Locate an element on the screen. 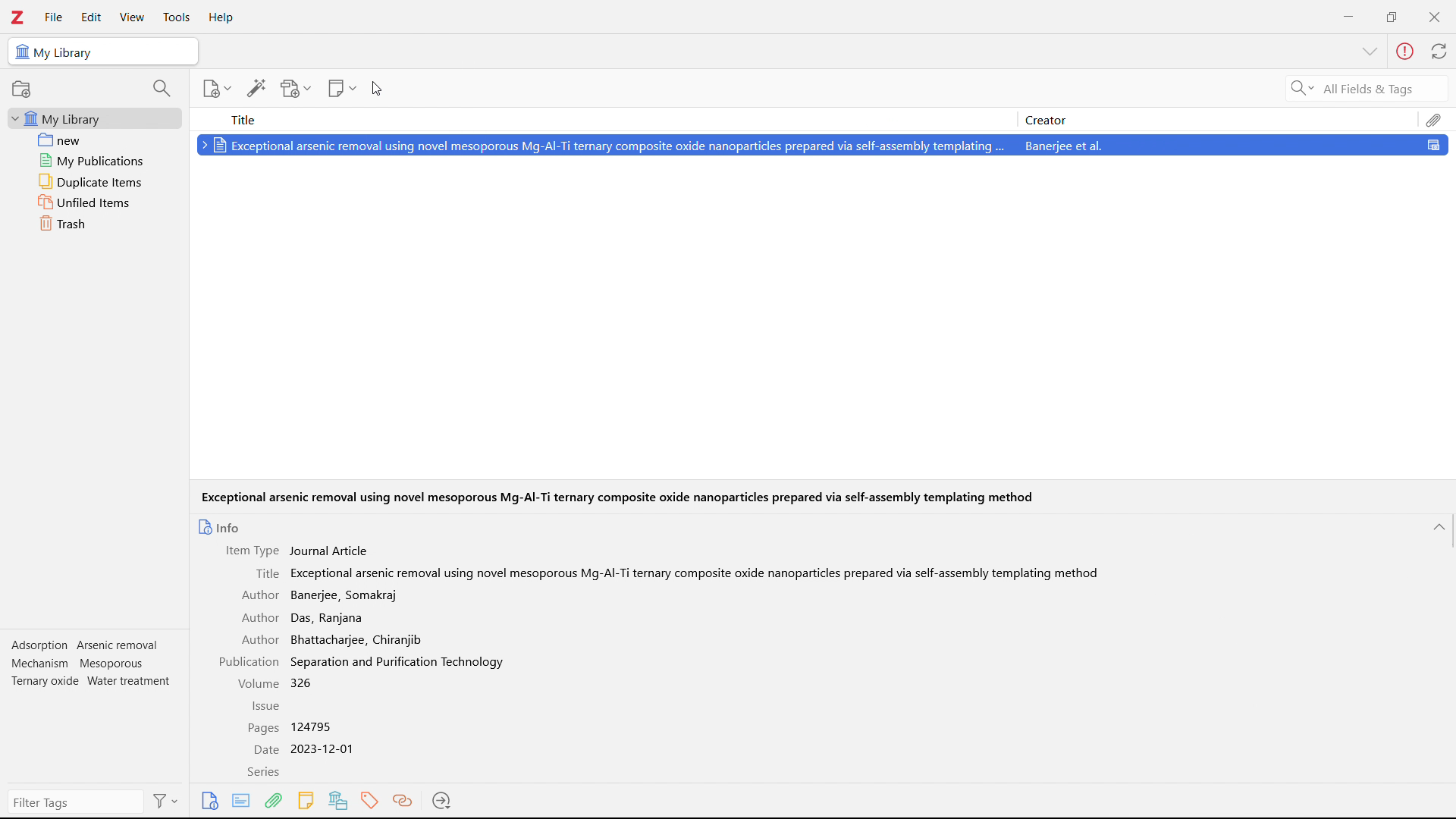 This screenshot has width=1456, height=819. edit is located at coordinates (91, 18).